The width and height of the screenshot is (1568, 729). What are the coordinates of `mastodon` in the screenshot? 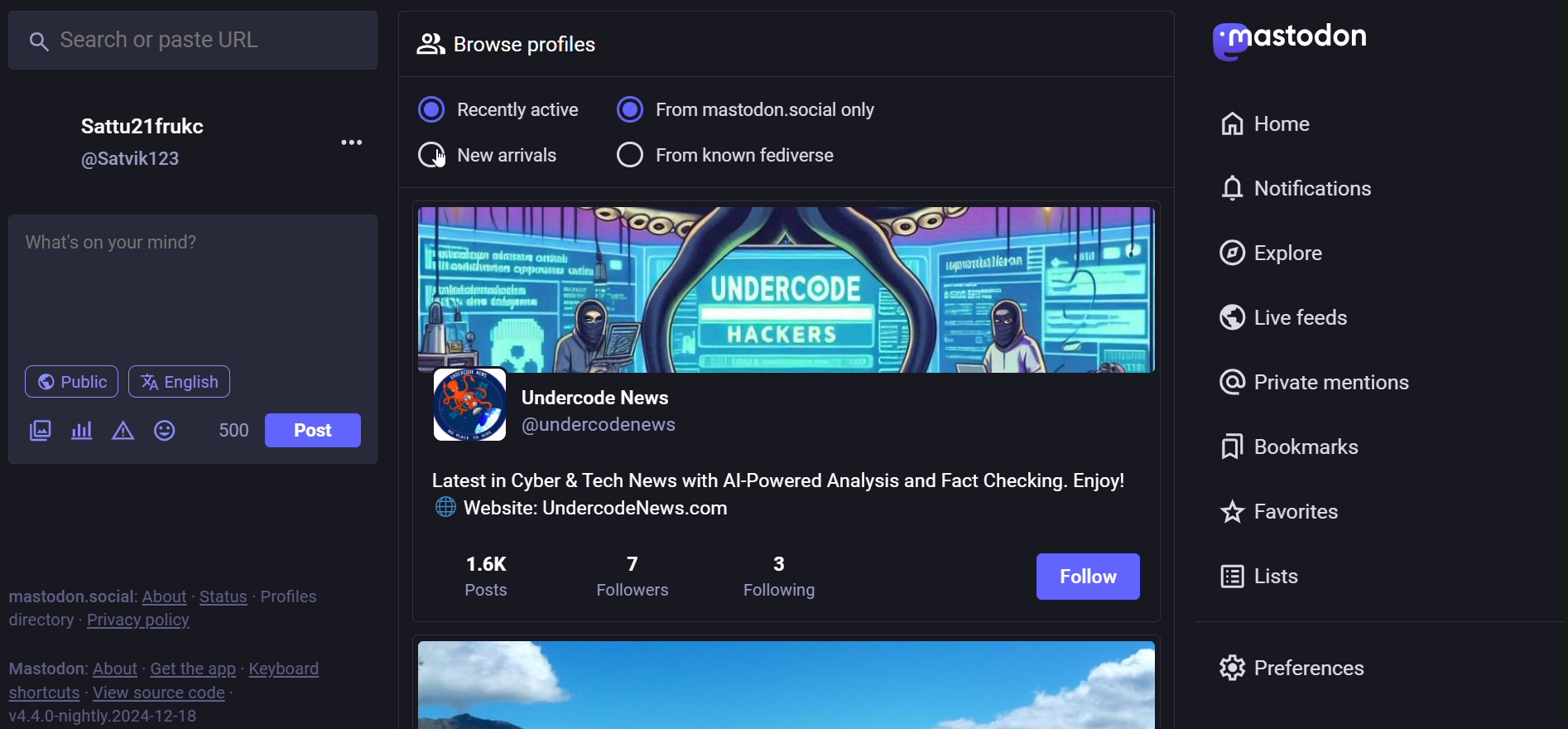 It's located at (46, 664).